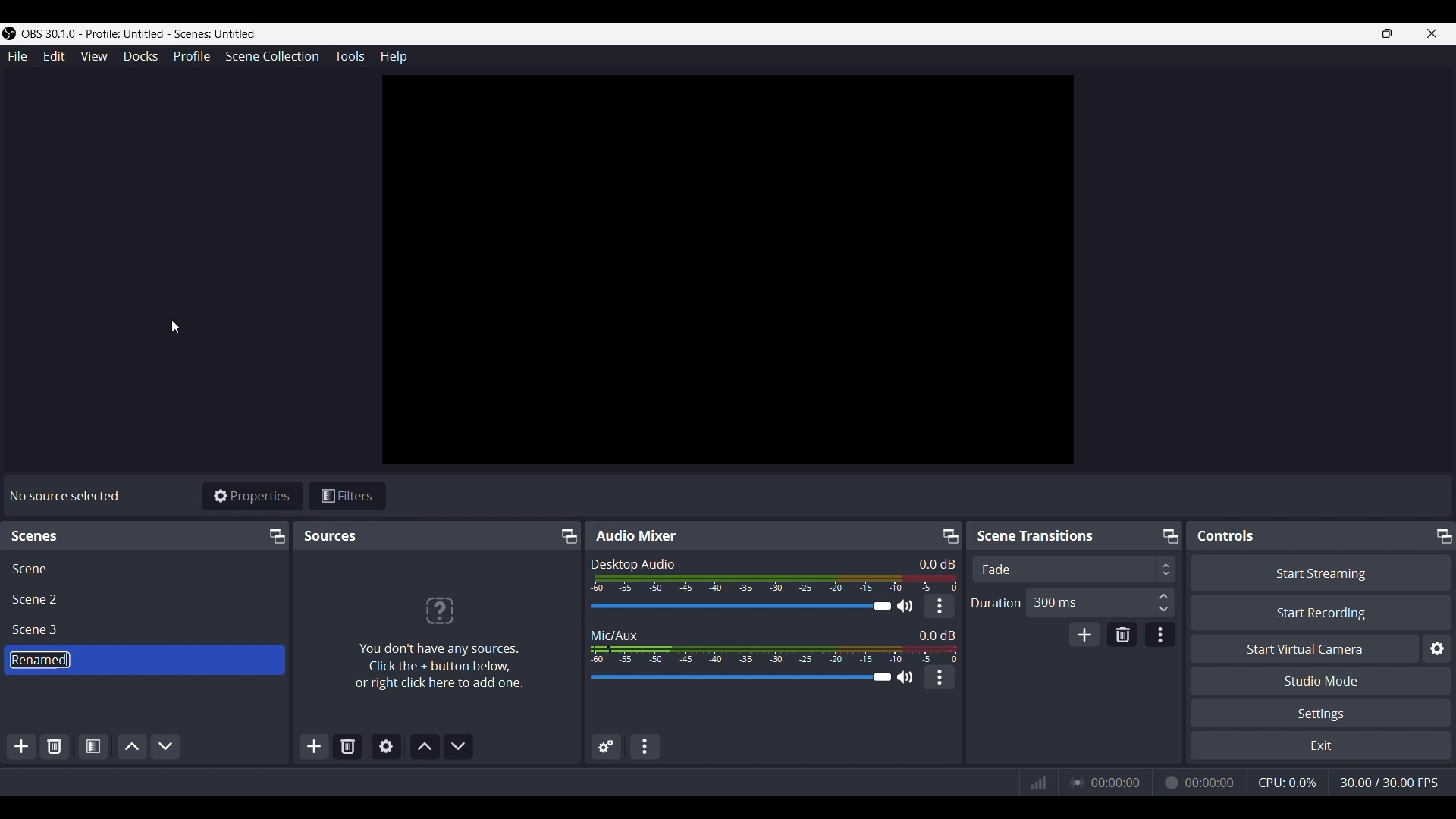 The image size is (1456, 819). What do you see at coordinates (1436, 649) in the screenshot?
I see `configure virtual camera` at bounding box center [1436, 649].